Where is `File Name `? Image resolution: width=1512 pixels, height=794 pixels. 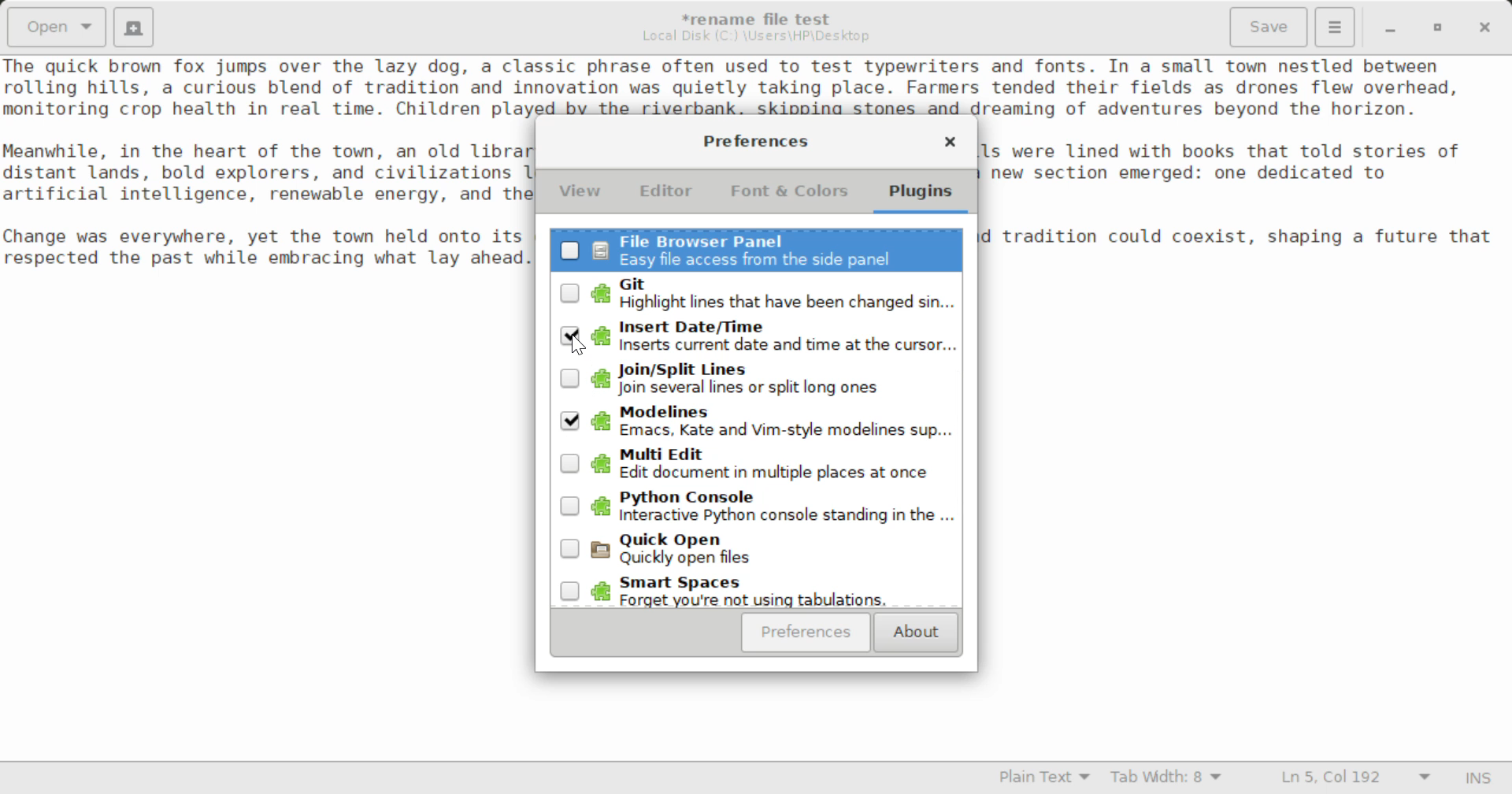 File Name  is located at coordinates (761, 17).